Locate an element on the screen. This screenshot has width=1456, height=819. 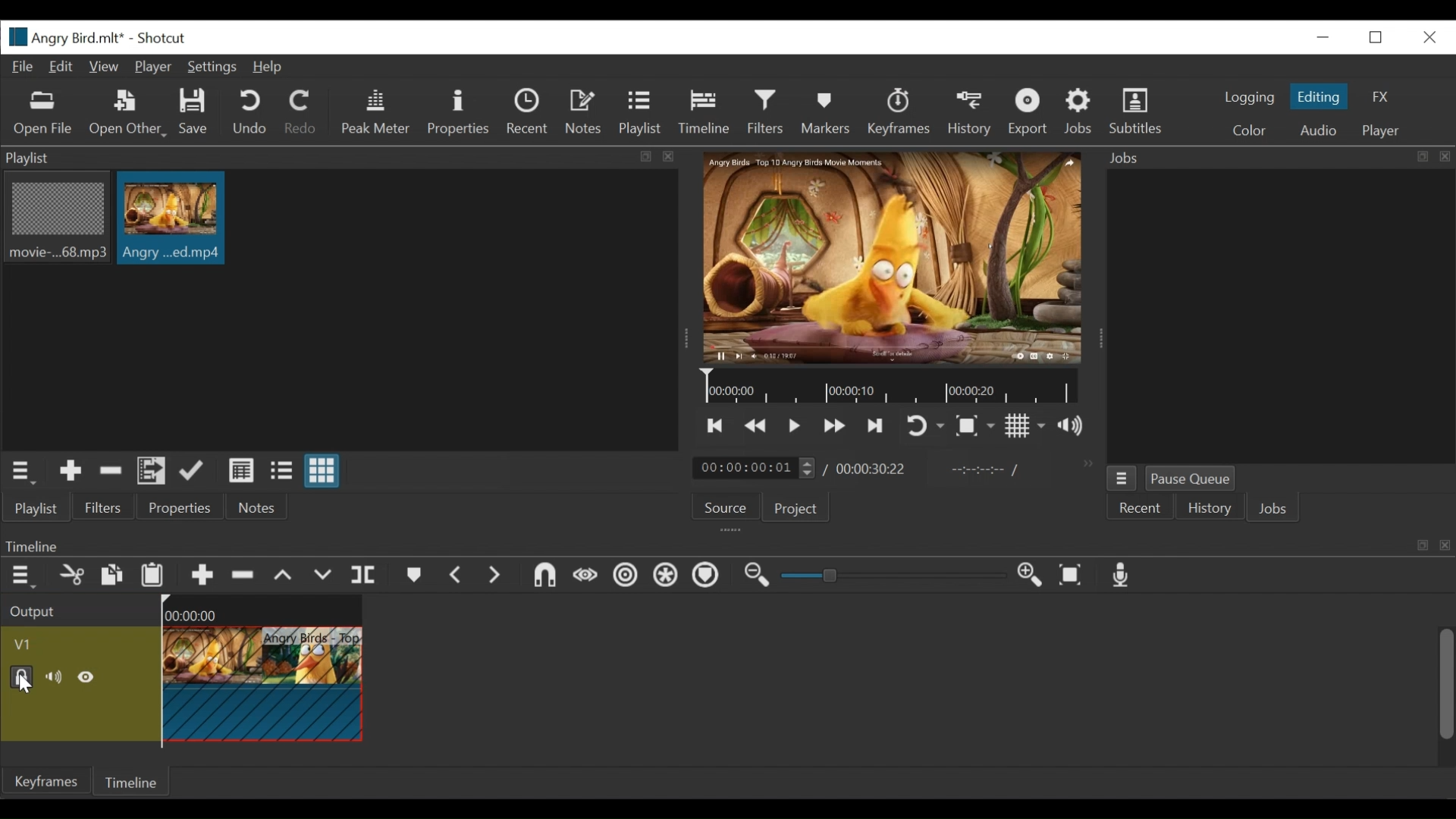
Skip to the next point is located at coordinates (875, 426).